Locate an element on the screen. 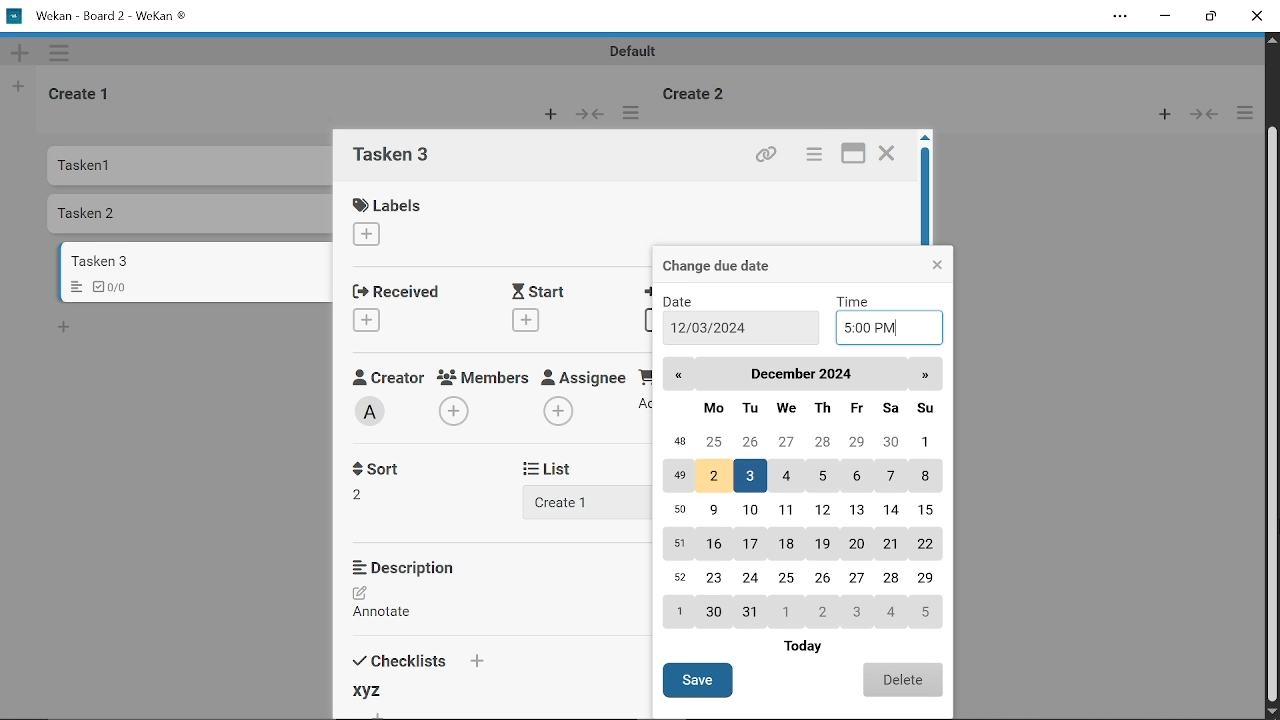 This screenshot has width=1280, height=720. Close is located at coordinates (936, 264).